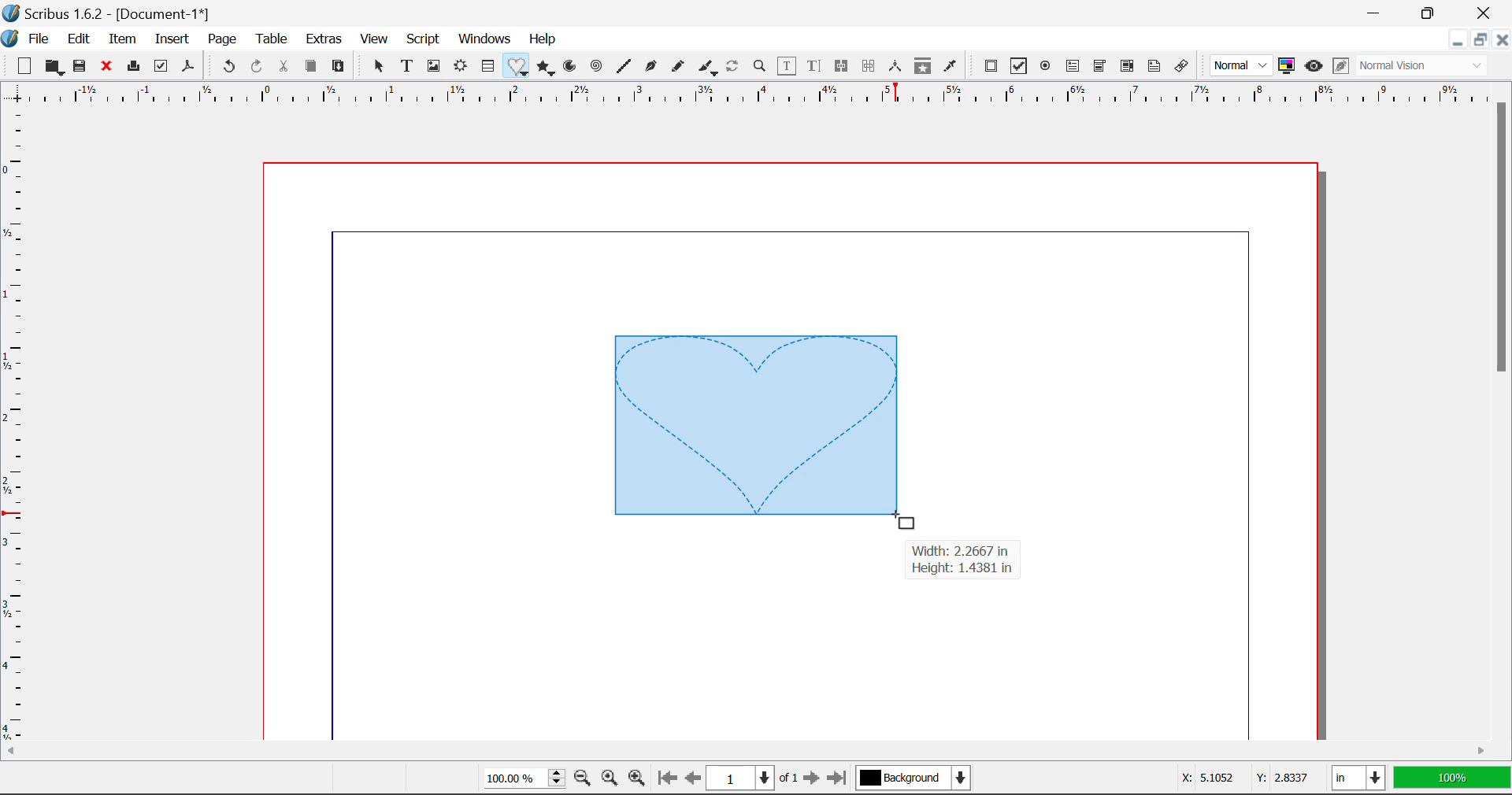  What do you see at coordinates (708, 69) in the screenshot?
I see `Calligraphic Curve` at bounding box center [708, 69].